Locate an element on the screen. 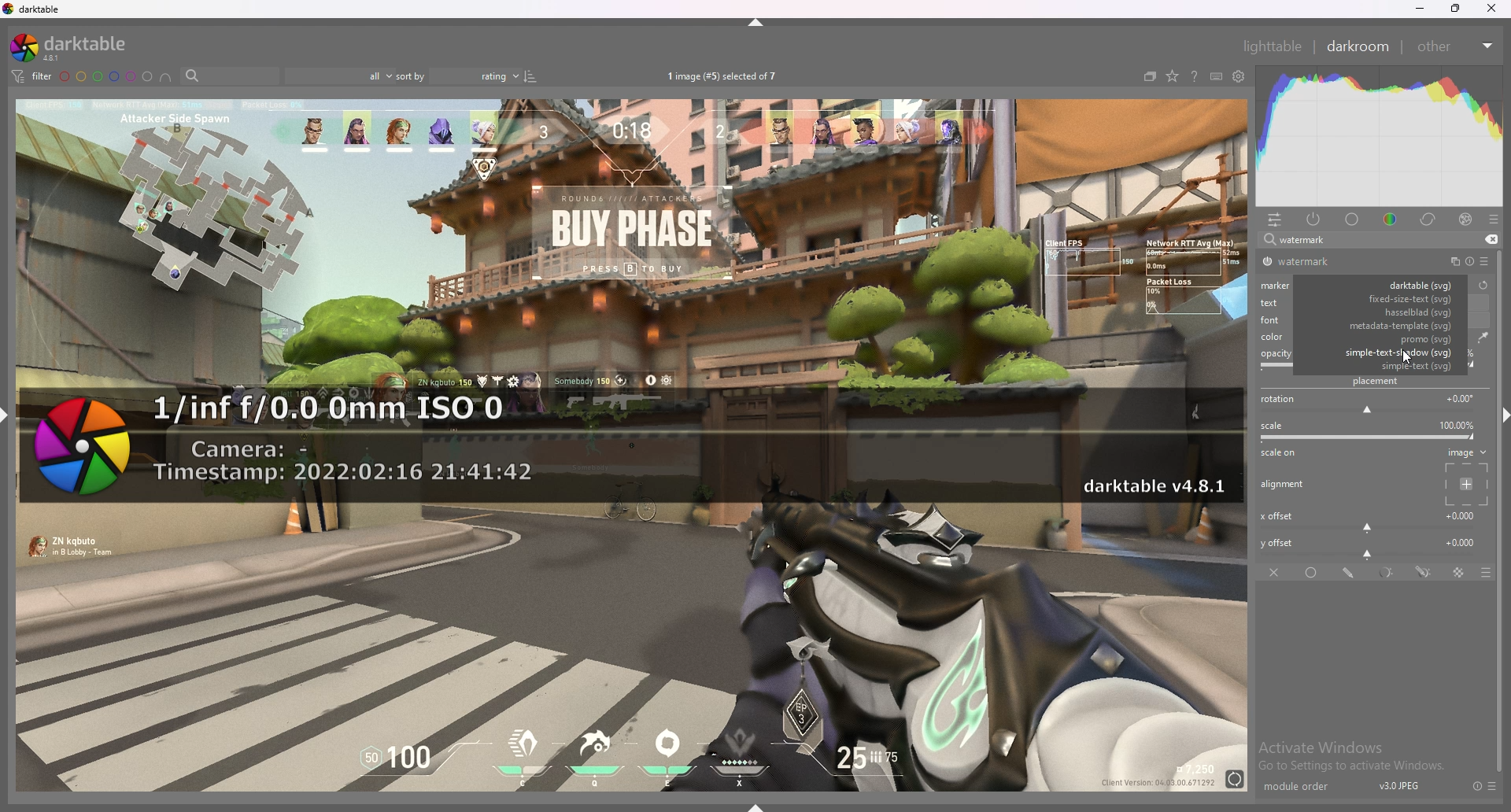 The image size is (1511, 812). text is located at coordinates (1272, 302).